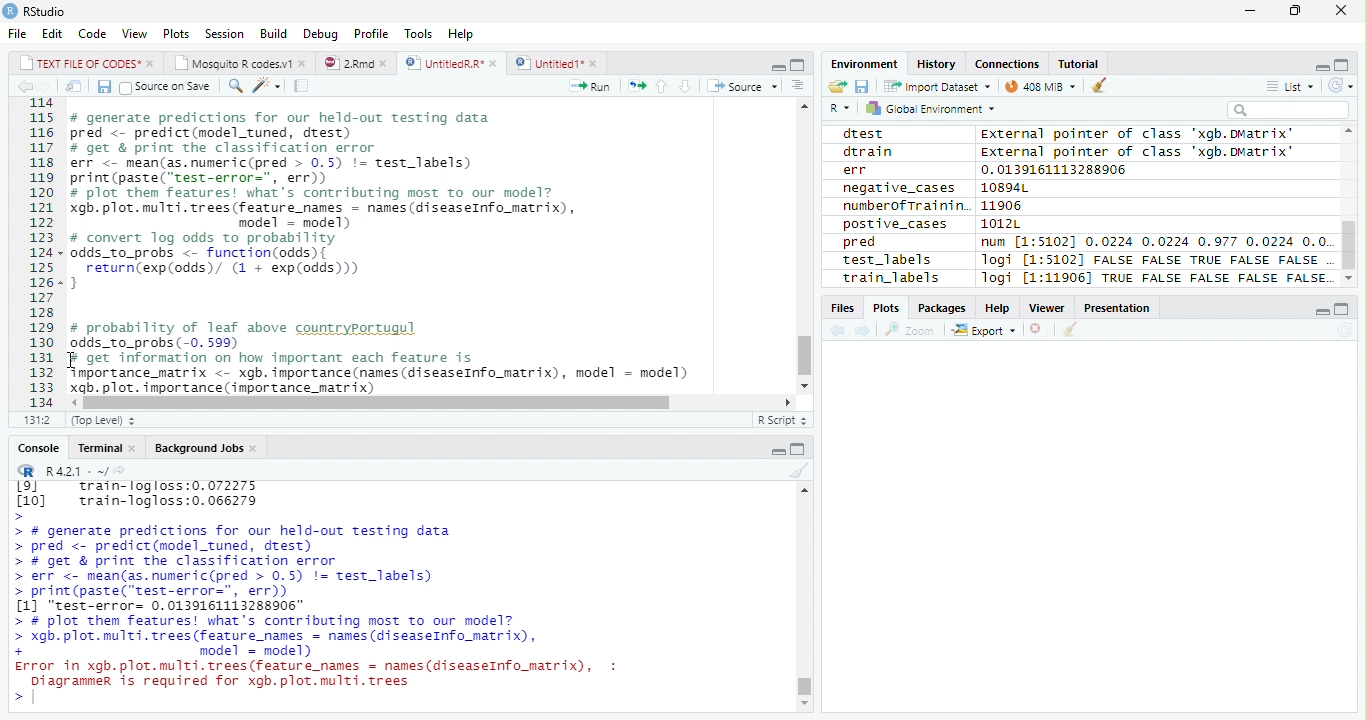 The image size is (1366, 720). I want to click on View, so click(134, 34).